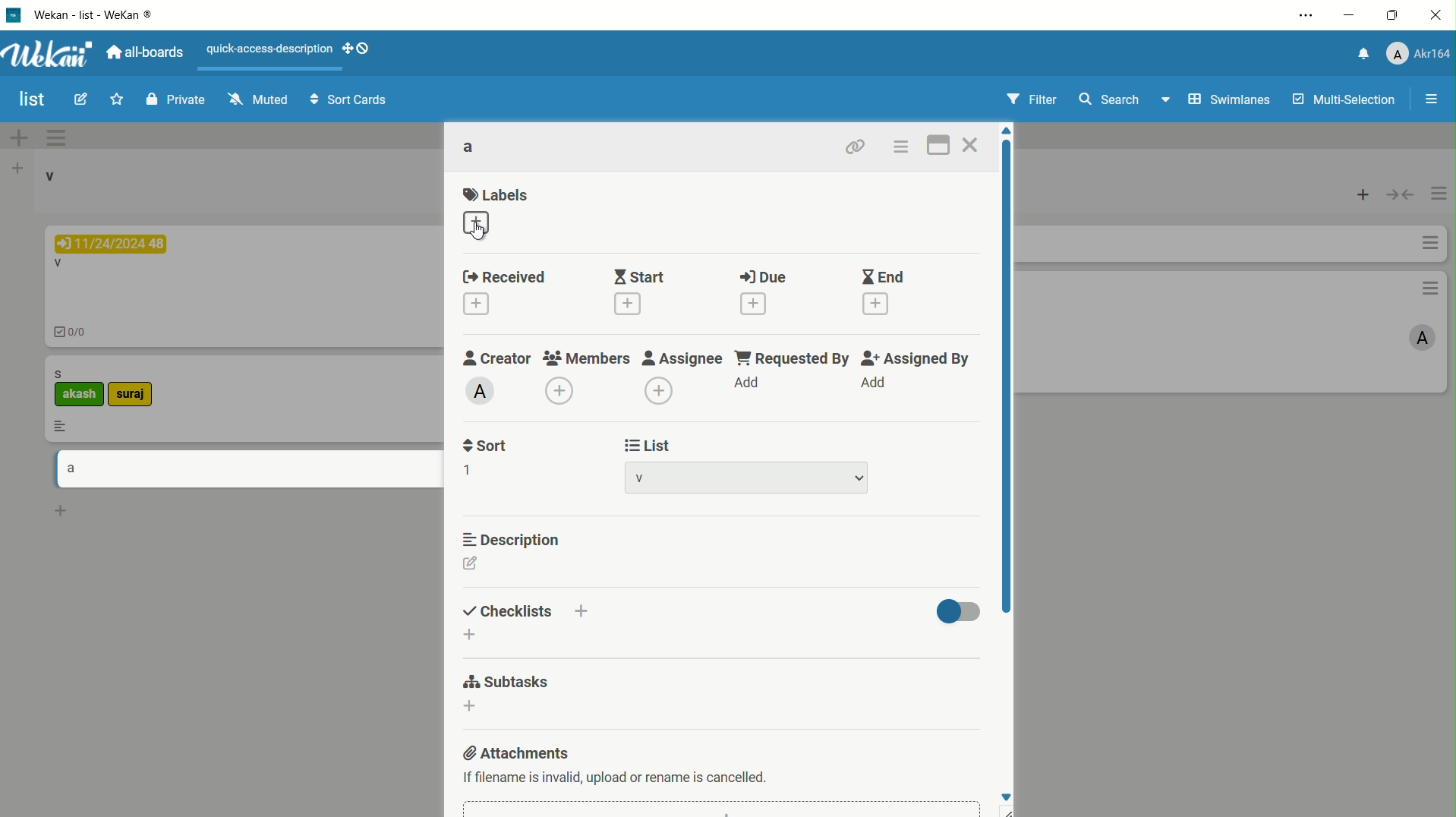 This screenshot has width=1456, height=817. What do you see at coordinates (15, 138) in the screenshot?
I see `add` at bounding box center [15, 138].